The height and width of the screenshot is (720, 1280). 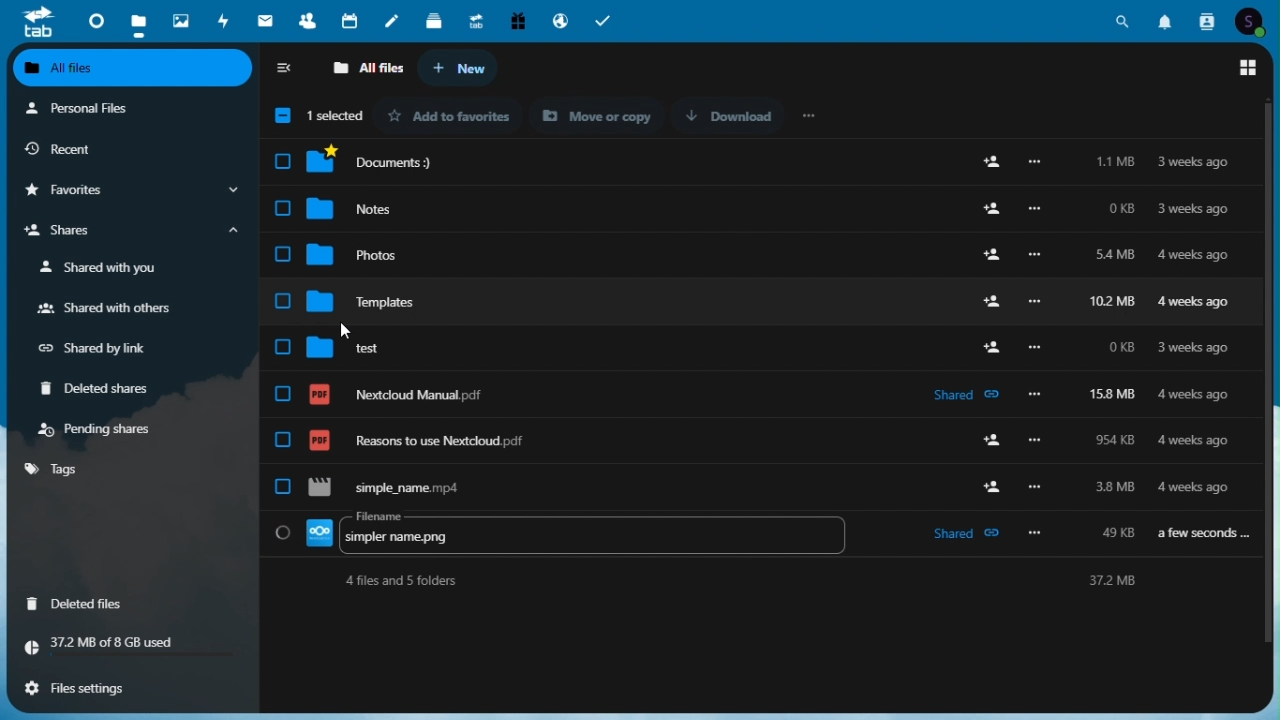 What do you see at coordinates (757, 483) in the screenshot?
I see `file being renamed` at bounding box center [757, 483].